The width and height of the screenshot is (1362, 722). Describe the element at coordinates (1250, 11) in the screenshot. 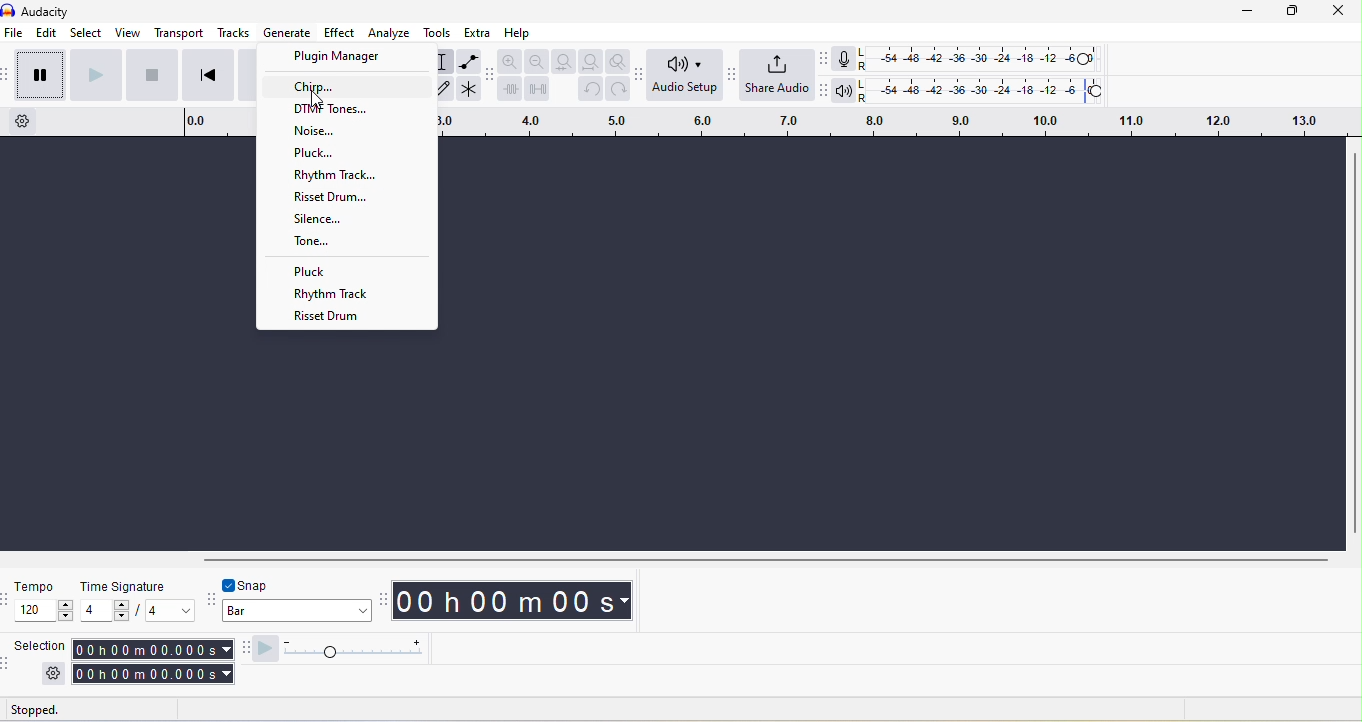

I see `minimize` at that location.